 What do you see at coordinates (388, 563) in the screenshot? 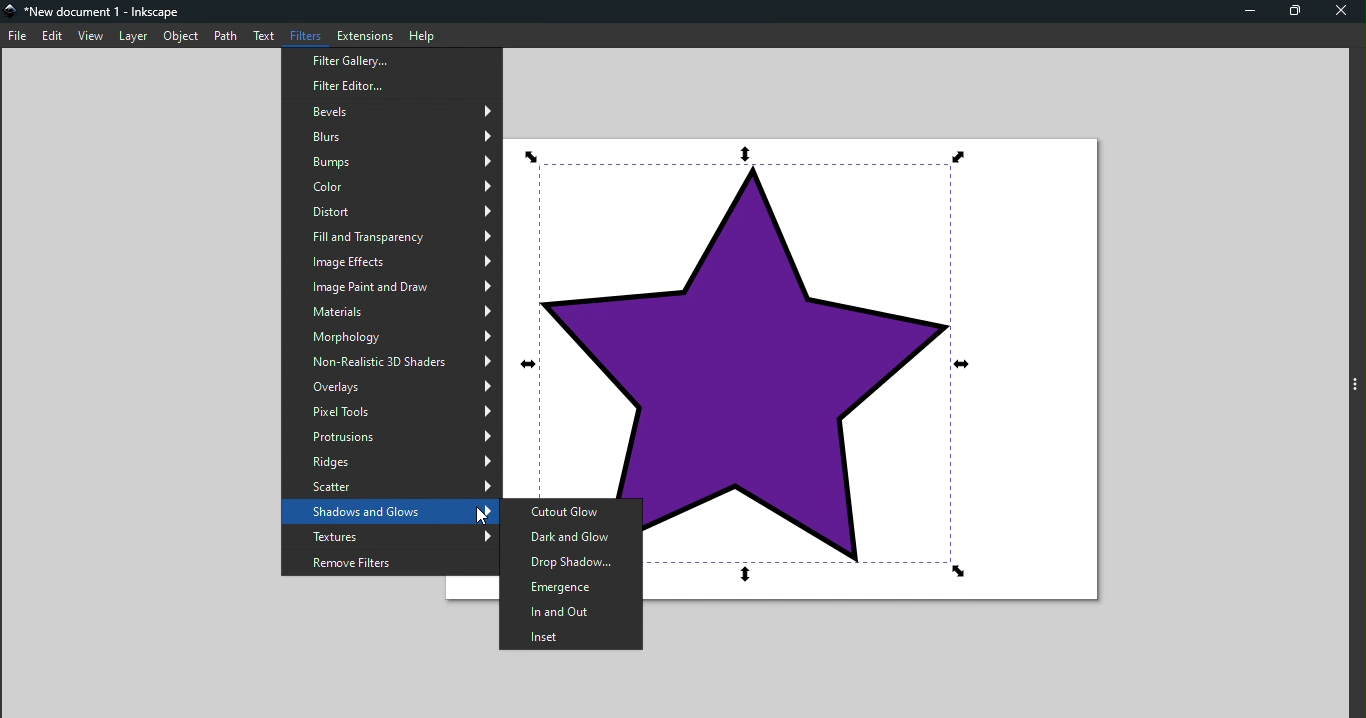
I see `Remove filters` at bounding box center [388, 563].